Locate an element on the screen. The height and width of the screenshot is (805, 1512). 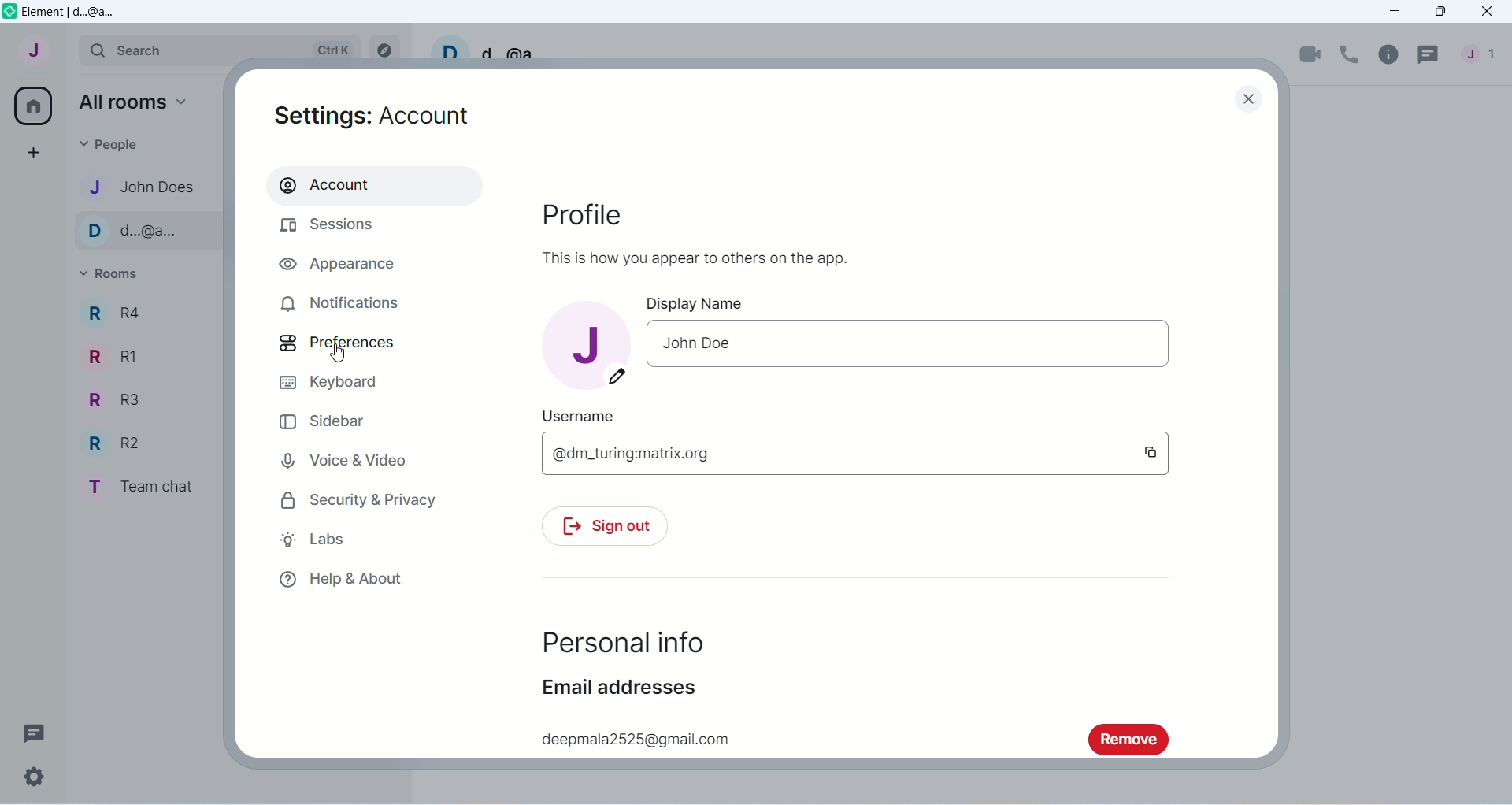
Sessions is located at coordinates (354, 223).